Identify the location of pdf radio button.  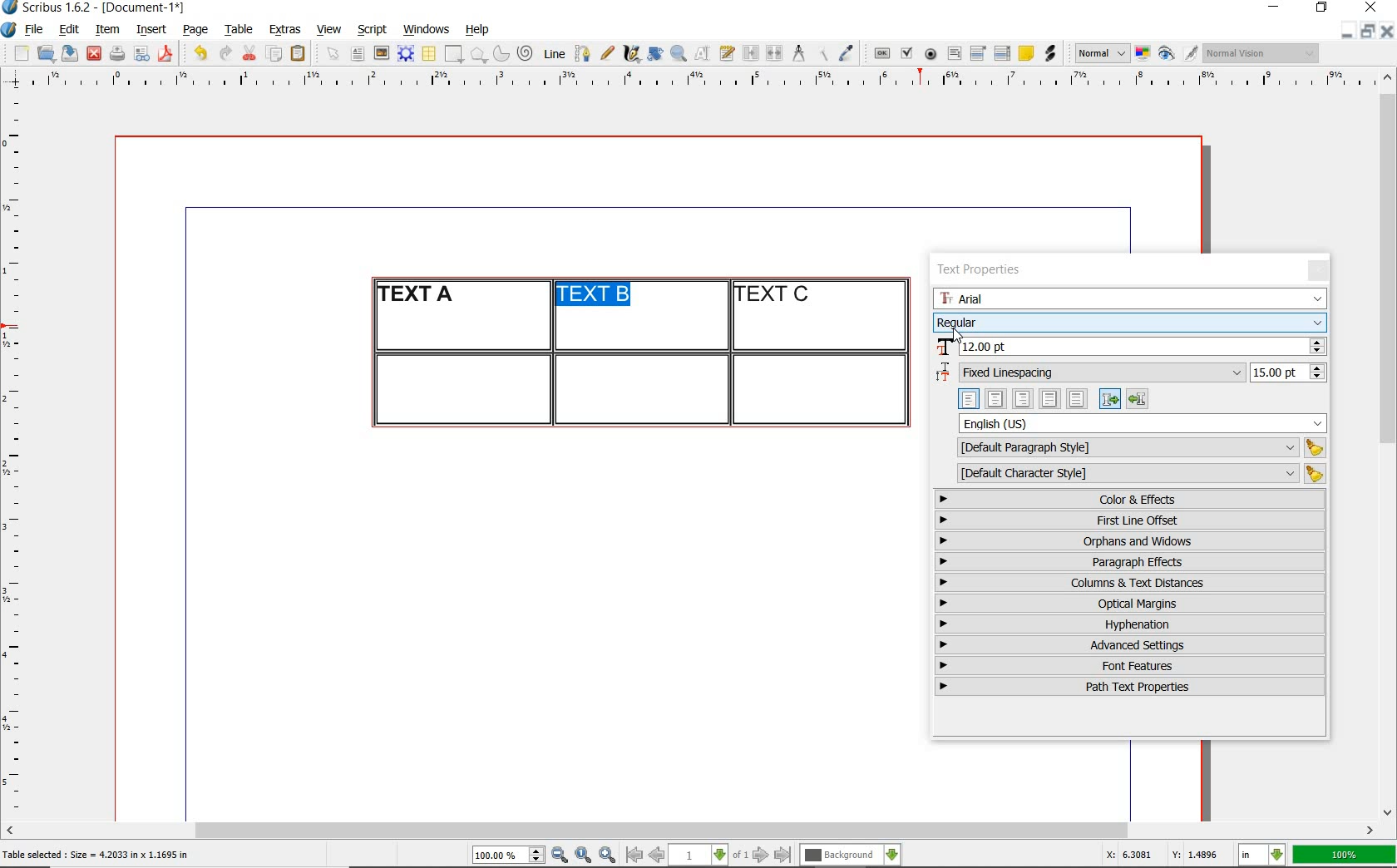
(931, 56).